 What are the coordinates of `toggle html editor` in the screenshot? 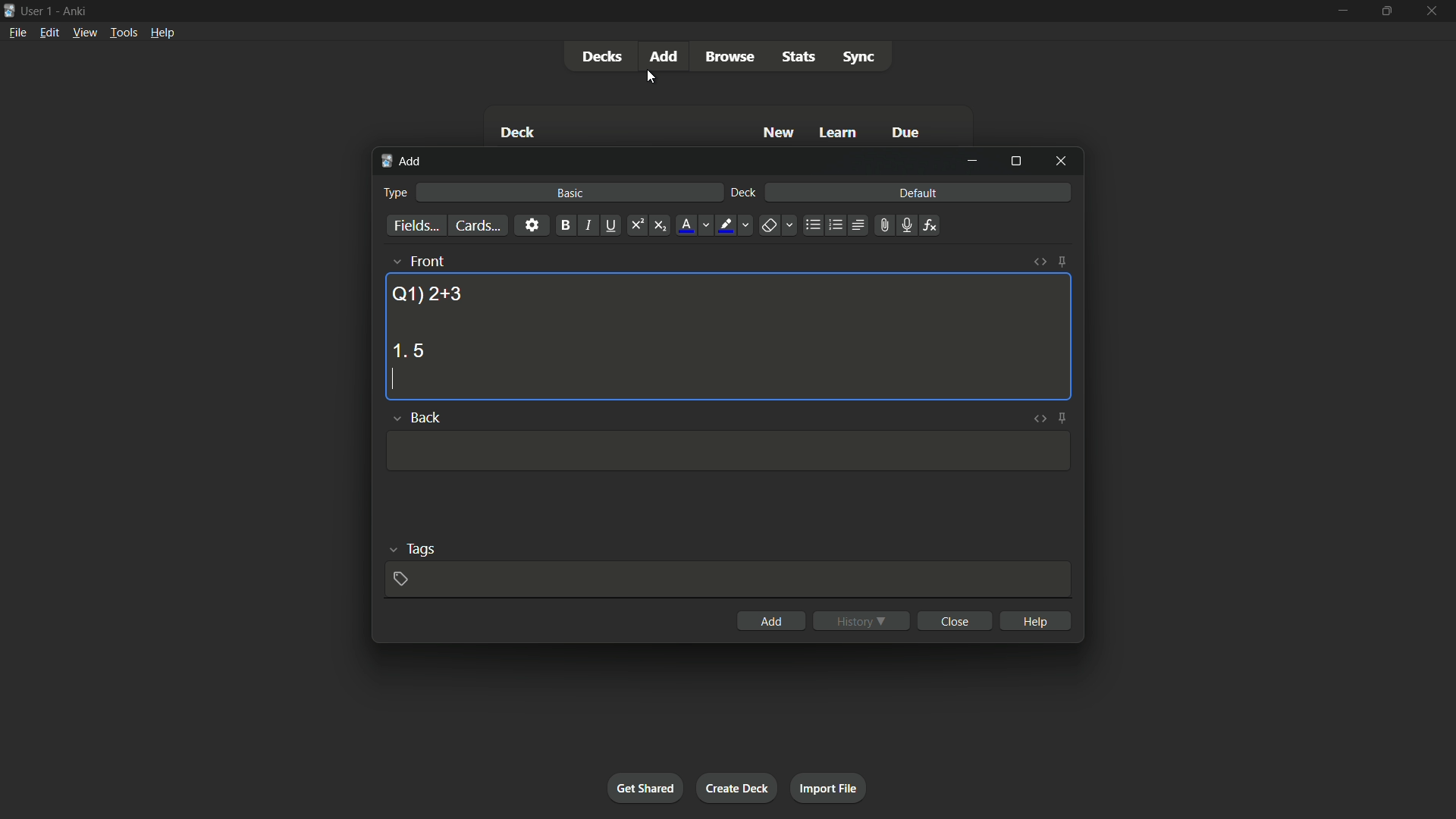 It's located at (1037, 418).